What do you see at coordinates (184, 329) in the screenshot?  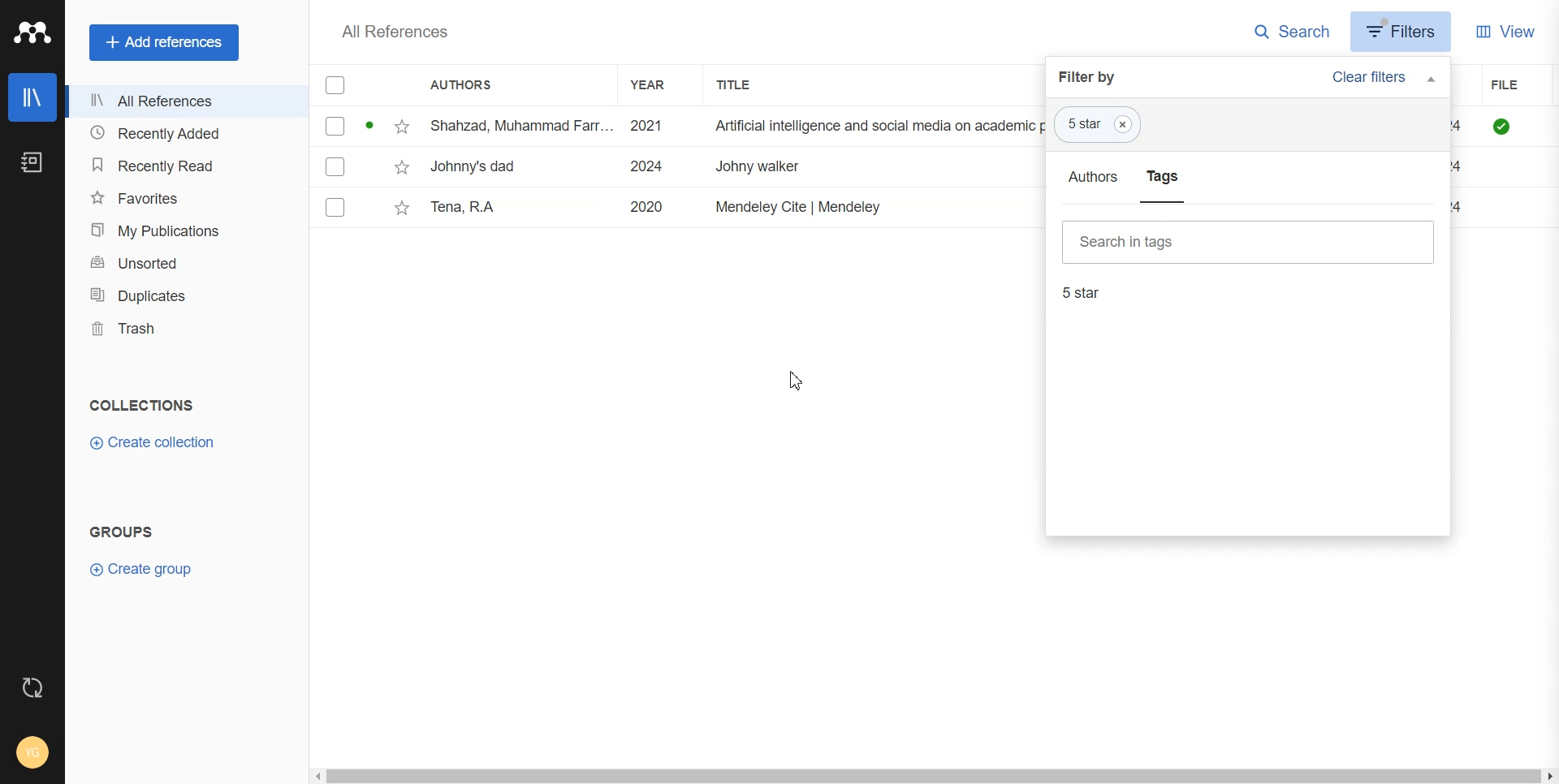 I see `Trash` at bounding box center [184, 329].